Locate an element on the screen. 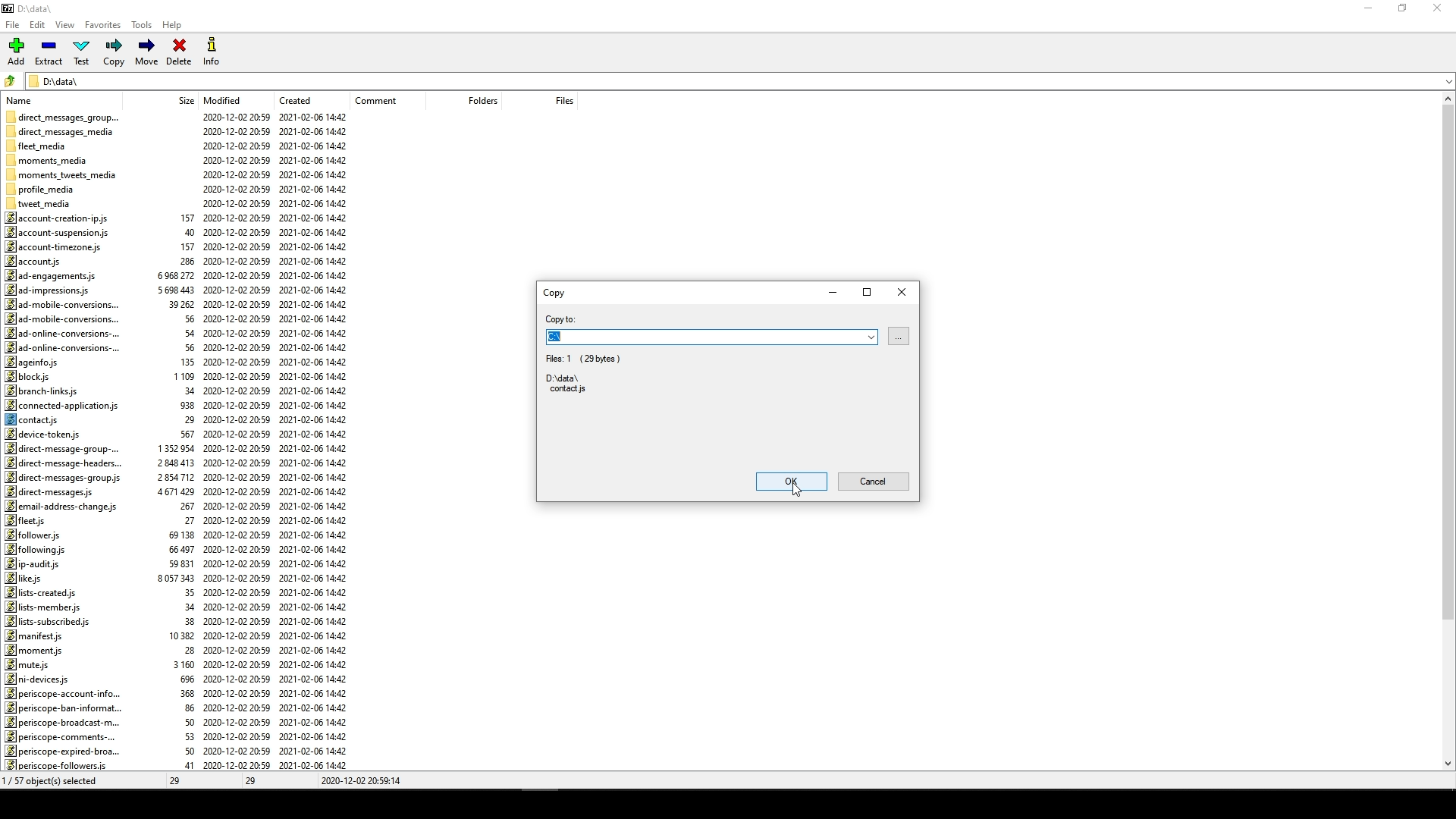 The height and width of the screenshot is (819, 1456). account-timezone.js is located at coordinates (54, 246).